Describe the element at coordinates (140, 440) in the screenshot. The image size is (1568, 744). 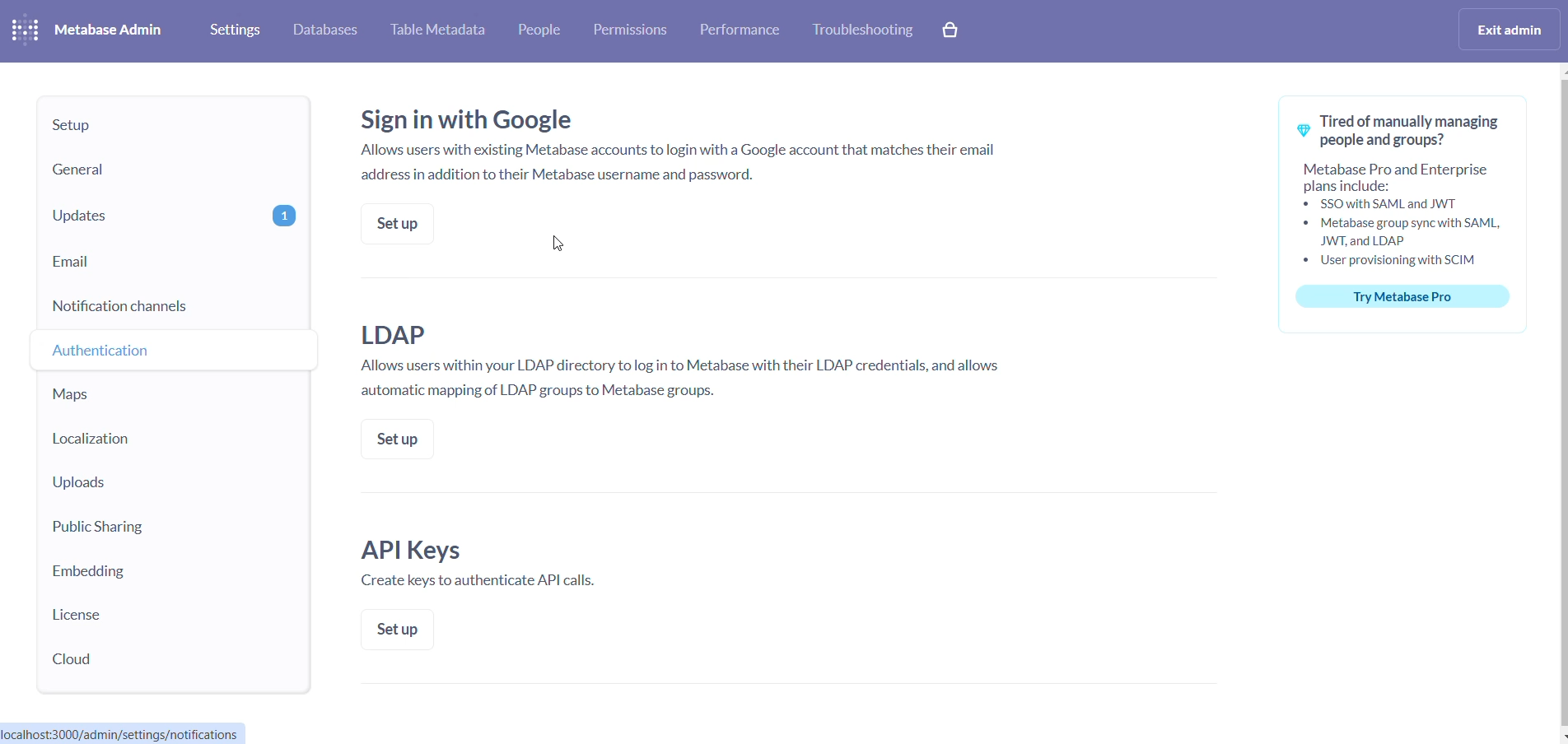
I see `localization` at that location.